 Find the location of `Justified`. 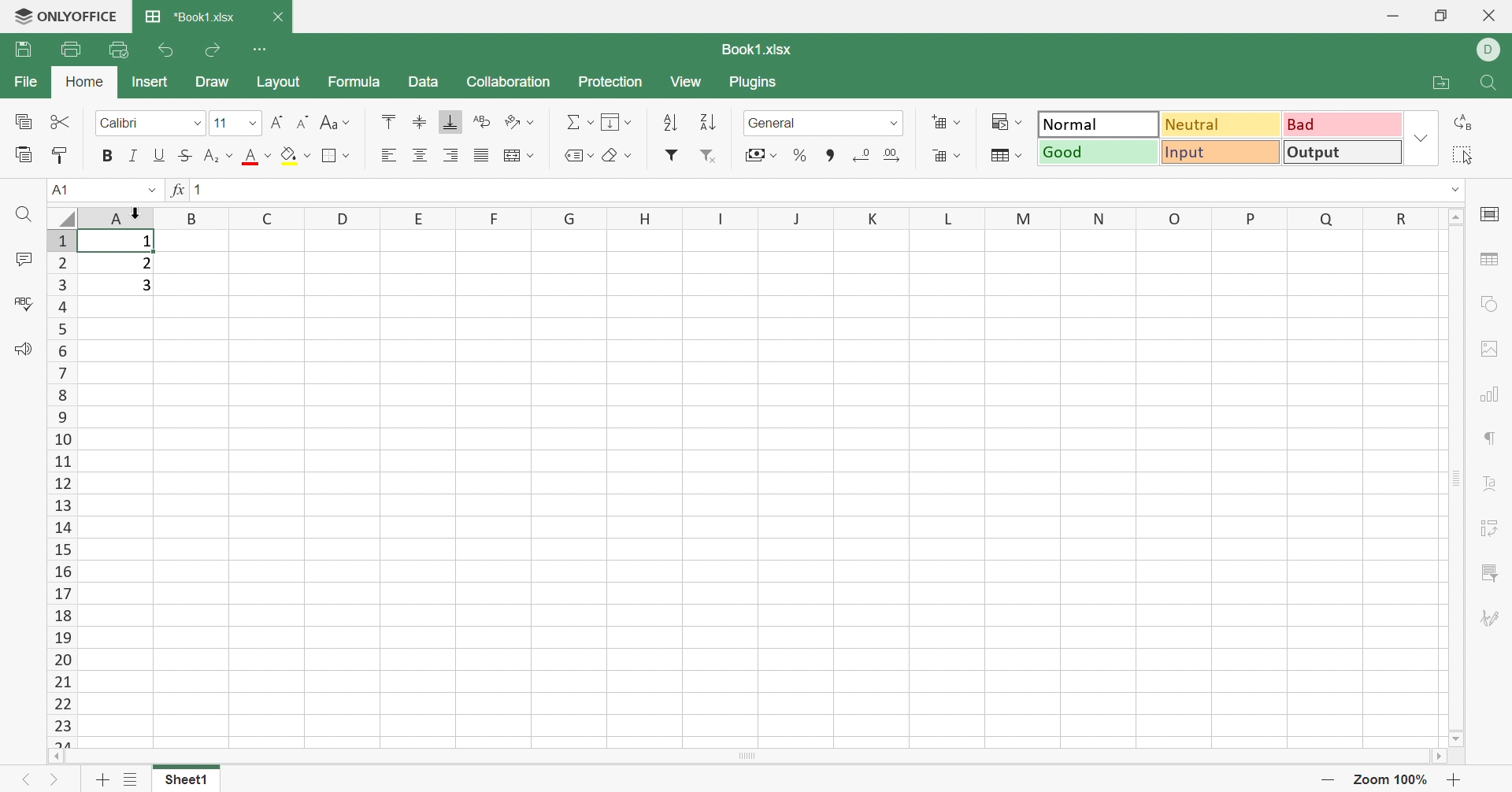

Justified is located at coordinates (483, 154).